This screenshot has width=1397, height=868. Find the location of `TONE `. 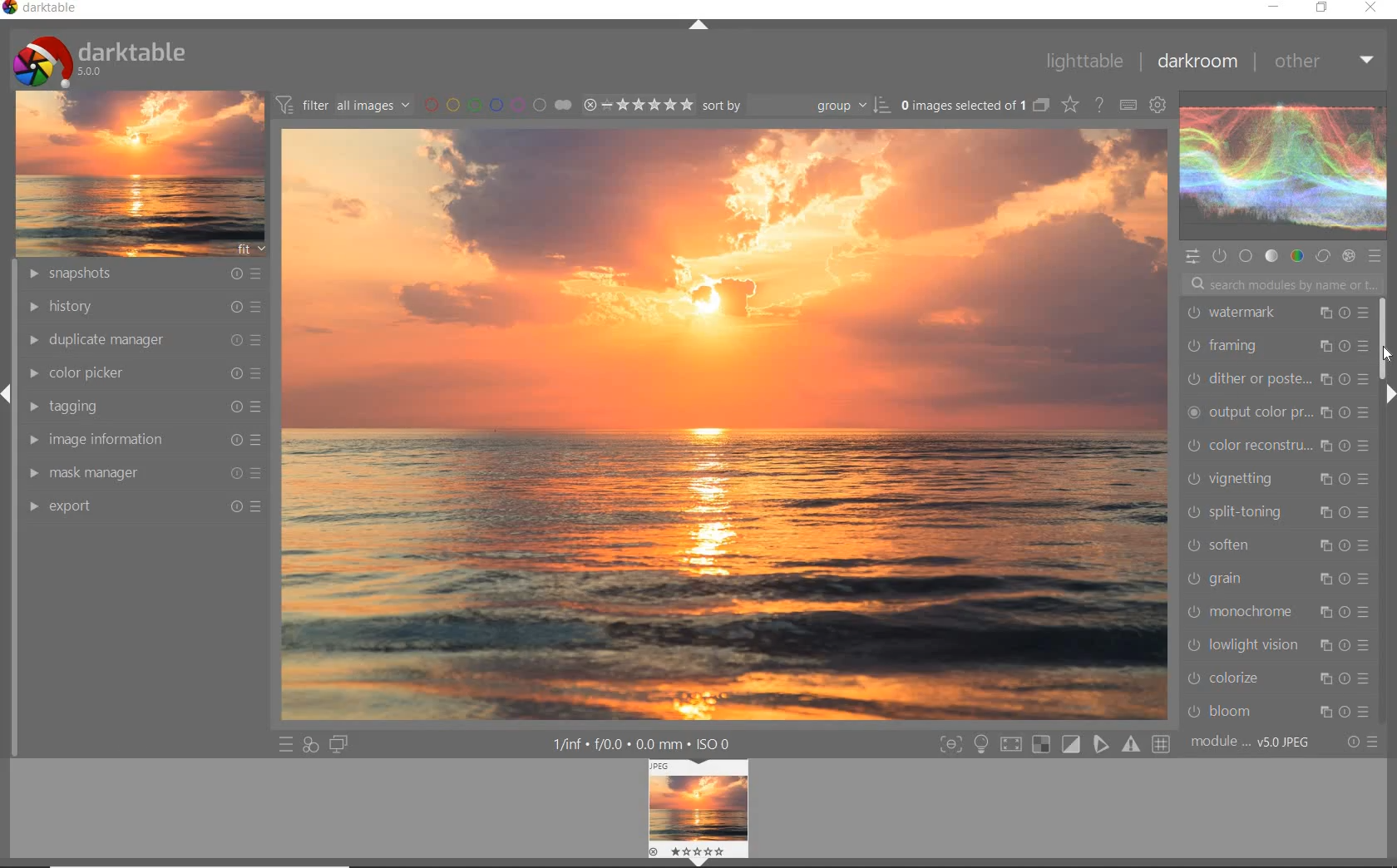

TONE  is located at coordinates (1271, 256).